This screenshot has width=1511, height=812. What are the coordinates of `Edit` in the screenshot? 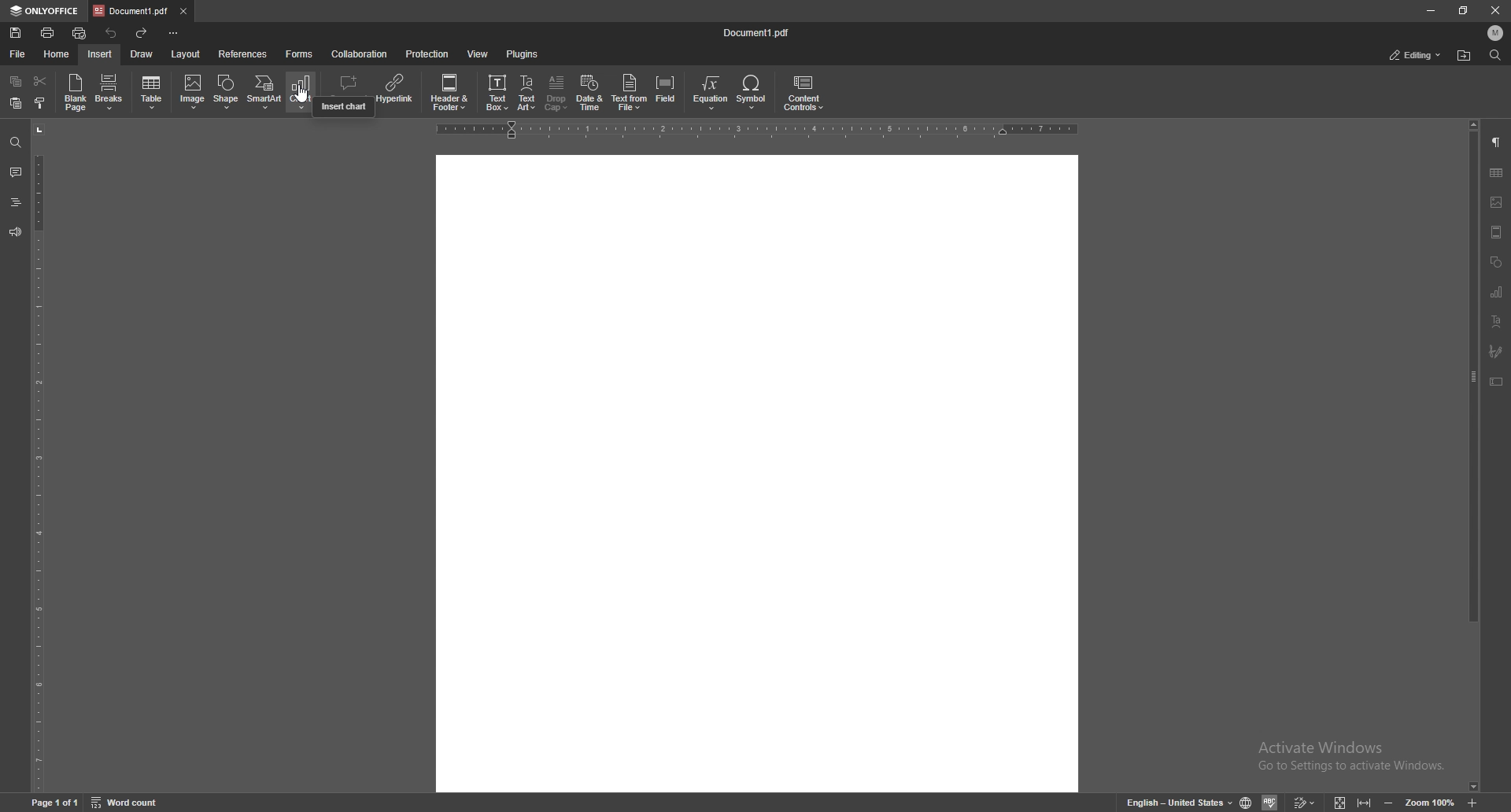 It's located at (1306, 803).